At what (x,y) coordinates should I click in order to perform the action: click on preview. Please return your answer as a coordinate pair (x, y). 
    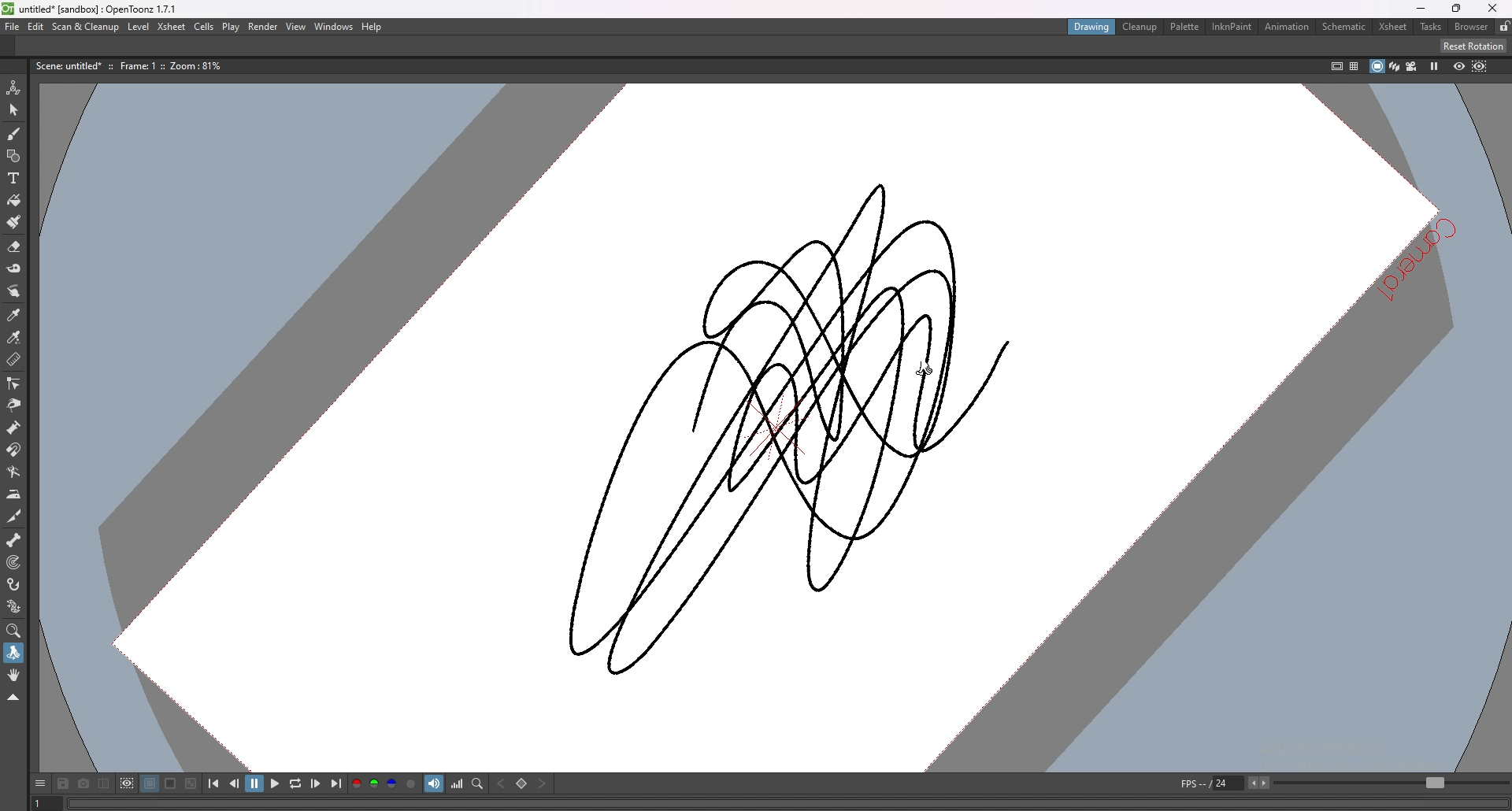
    Looking at the image, I should click on (1459, 66).